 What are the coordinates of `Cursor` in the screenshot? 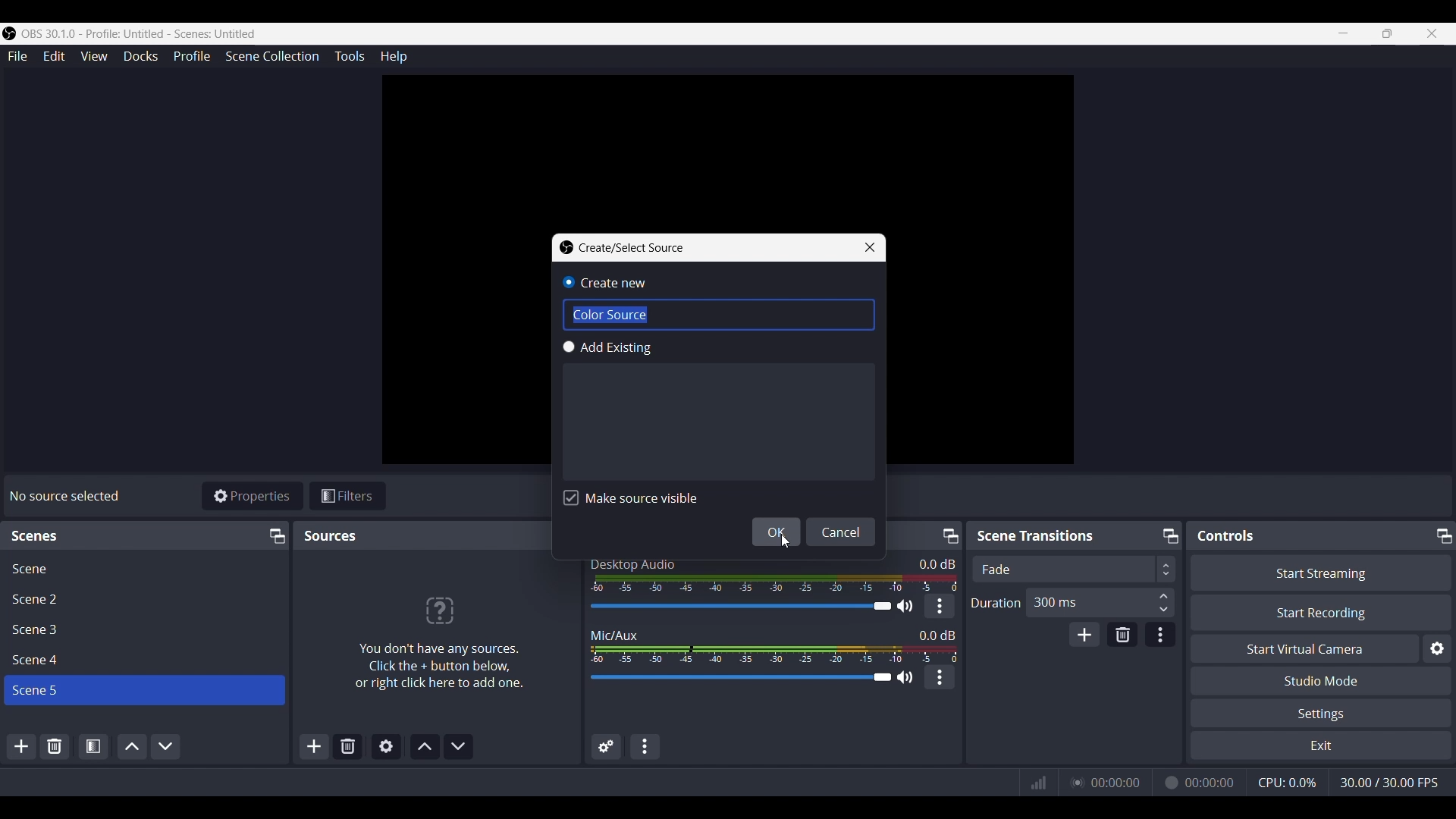 It's located at (786, 540).